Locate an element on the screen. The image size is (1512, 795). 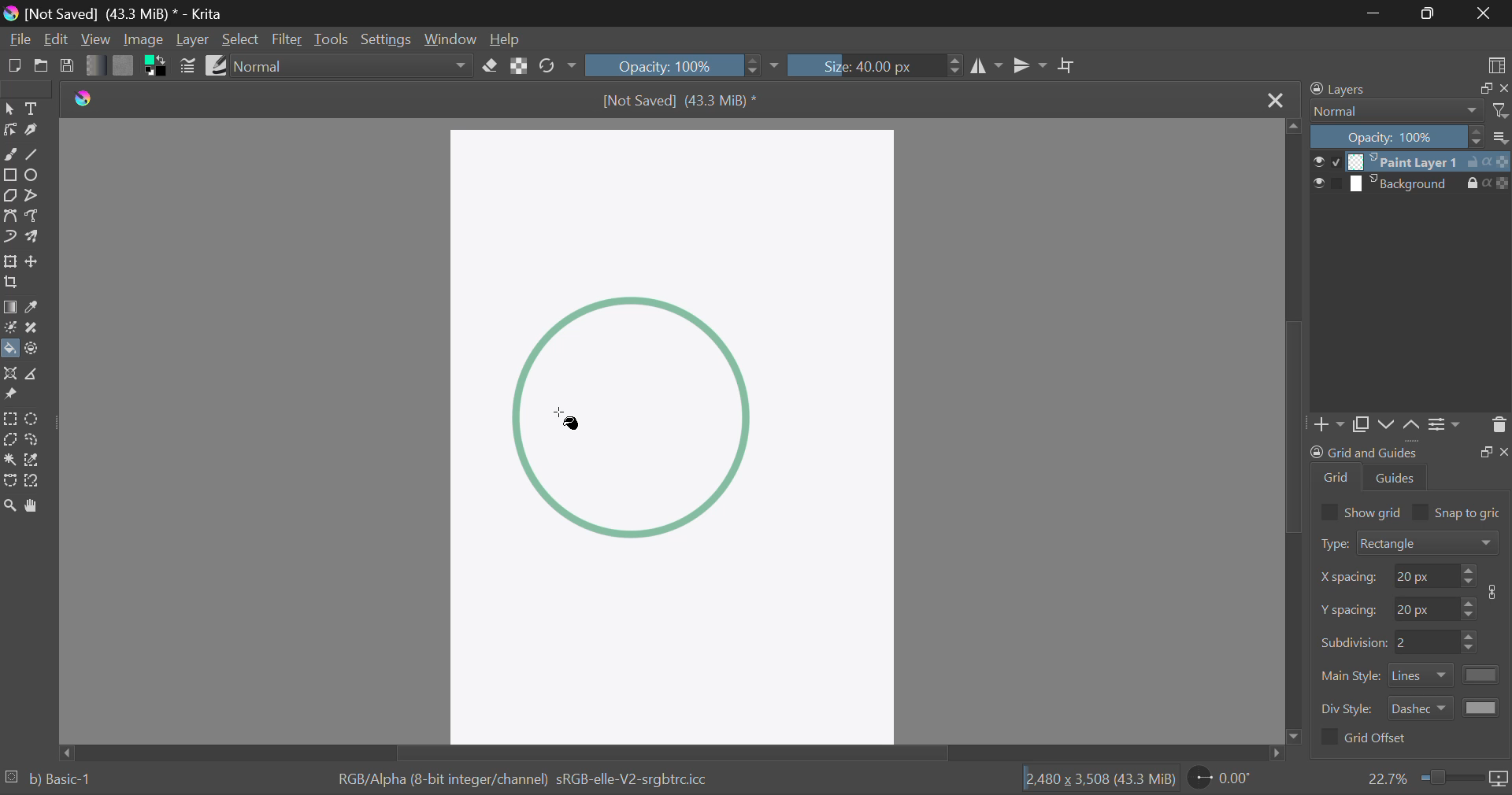
New is located at coordinates (14, 66).